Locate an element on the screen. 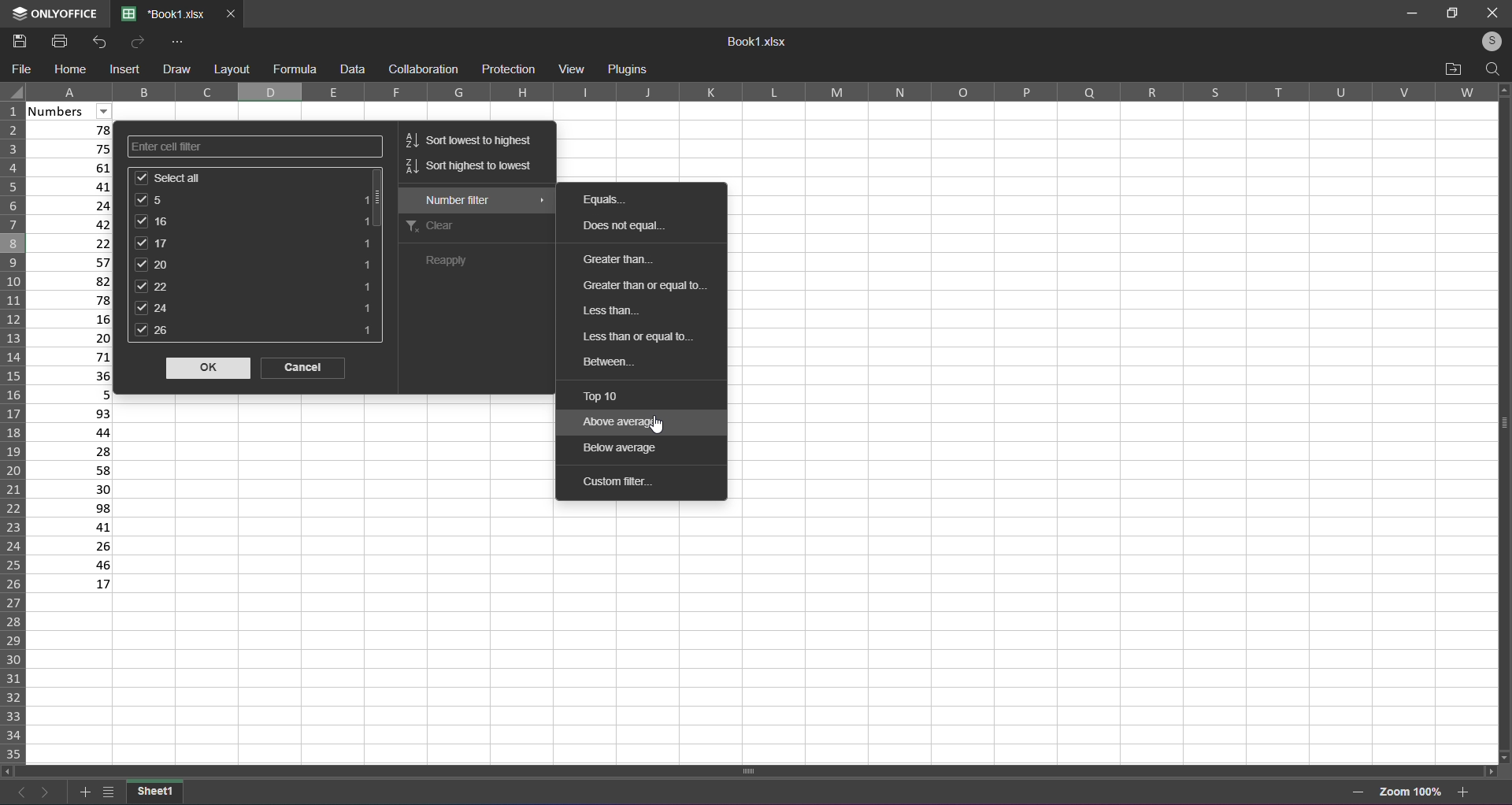 The width and height of the screenshot is (1512, 805). 17 is located at coordinates (257, 243).